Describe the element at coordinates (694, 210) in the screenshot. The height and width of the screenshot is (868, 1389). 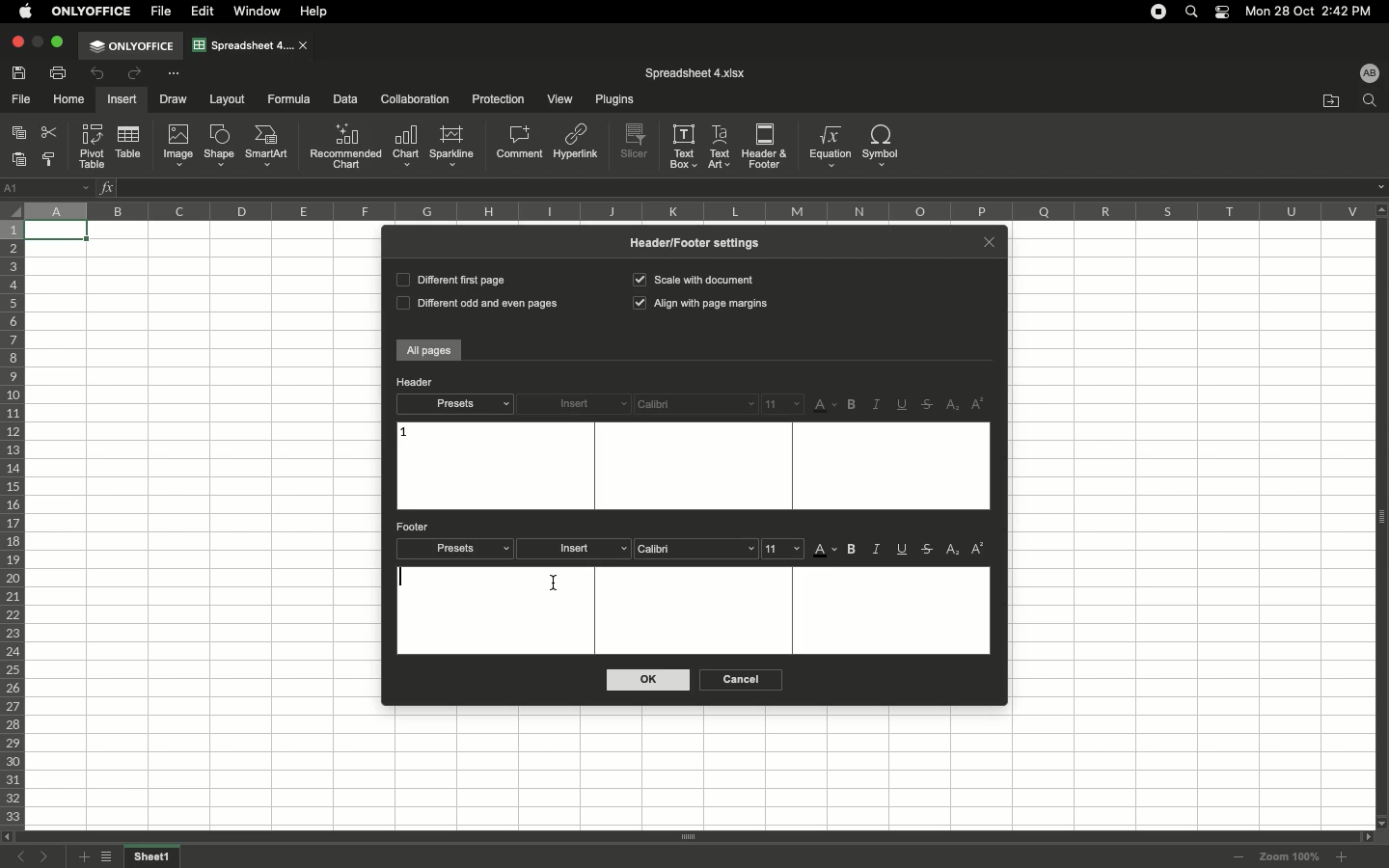
I see `Column` at that location.